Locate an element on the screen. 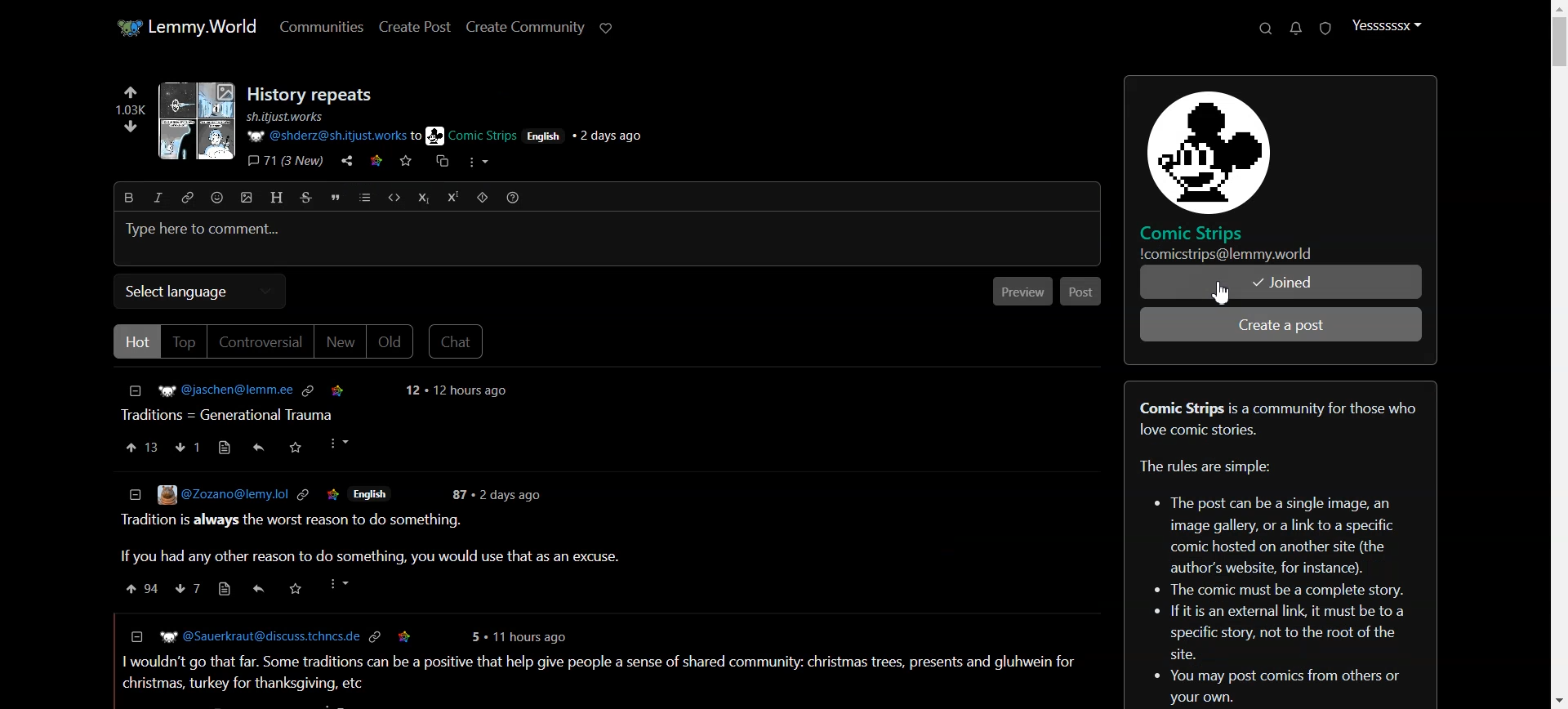  Insert Emoji is located at coordinates (217, 198).